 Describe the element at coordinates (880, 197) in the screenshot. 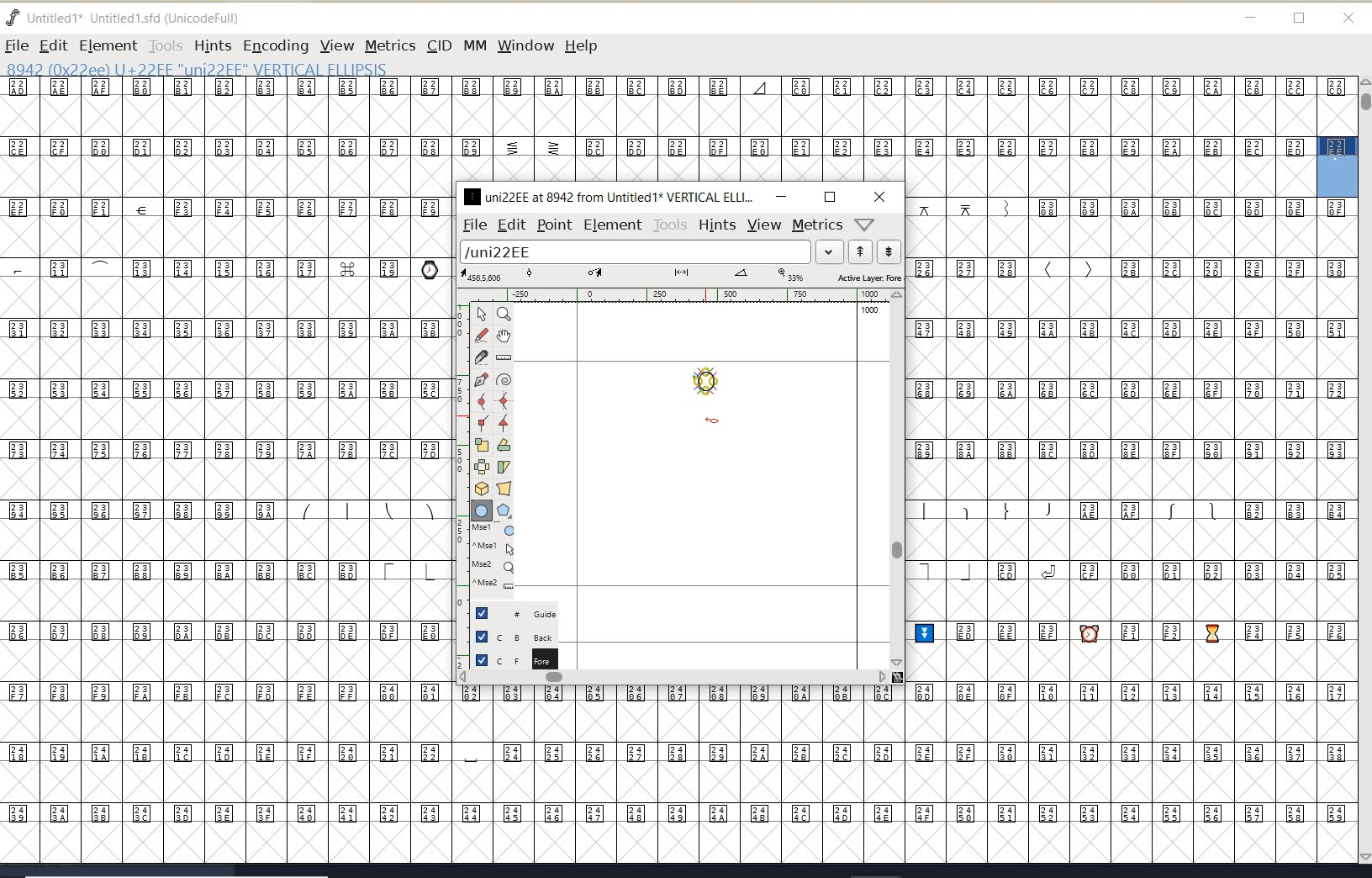

I see `close` at that location.